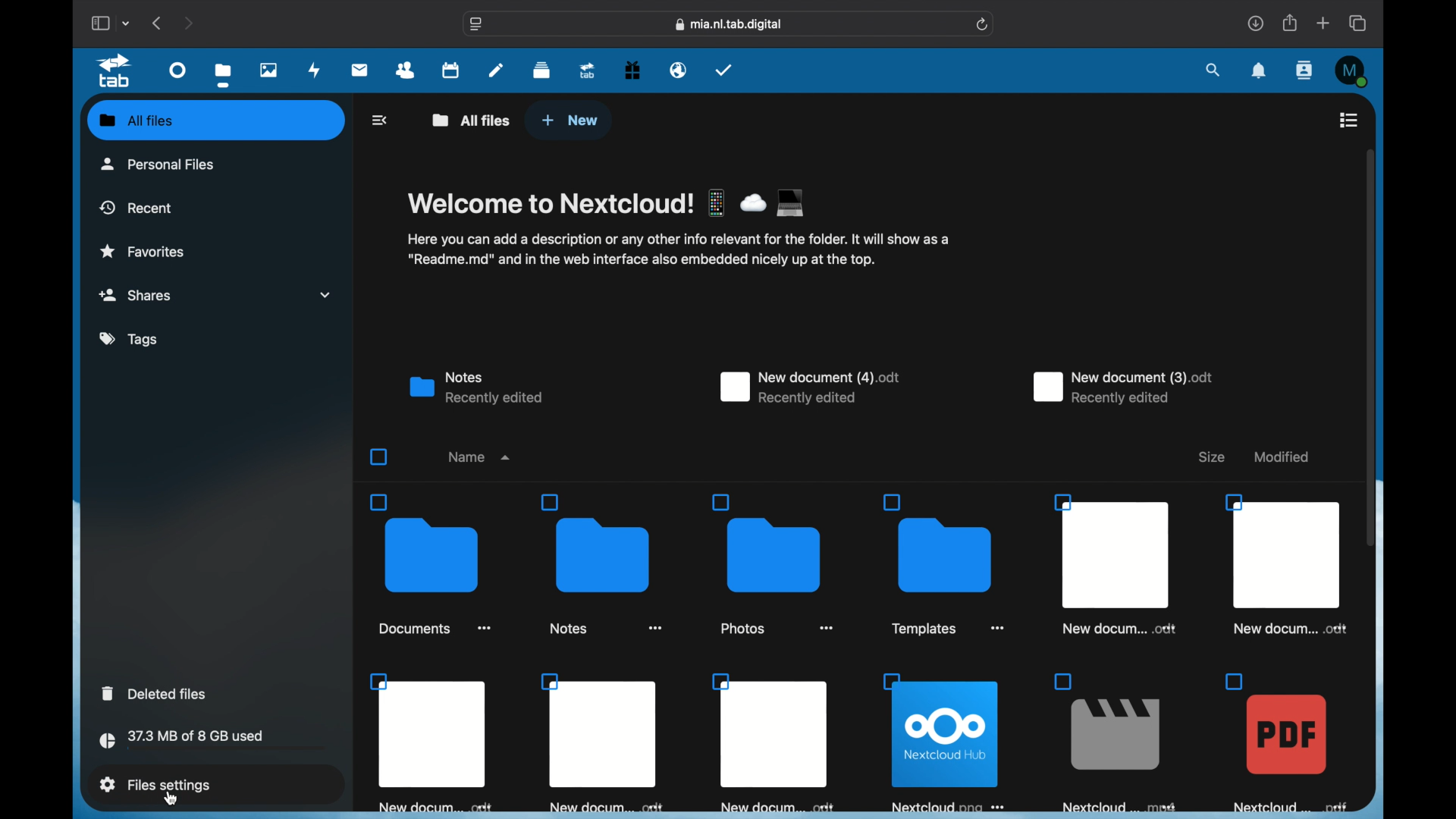  I want to click on file, so click(1285, 742).